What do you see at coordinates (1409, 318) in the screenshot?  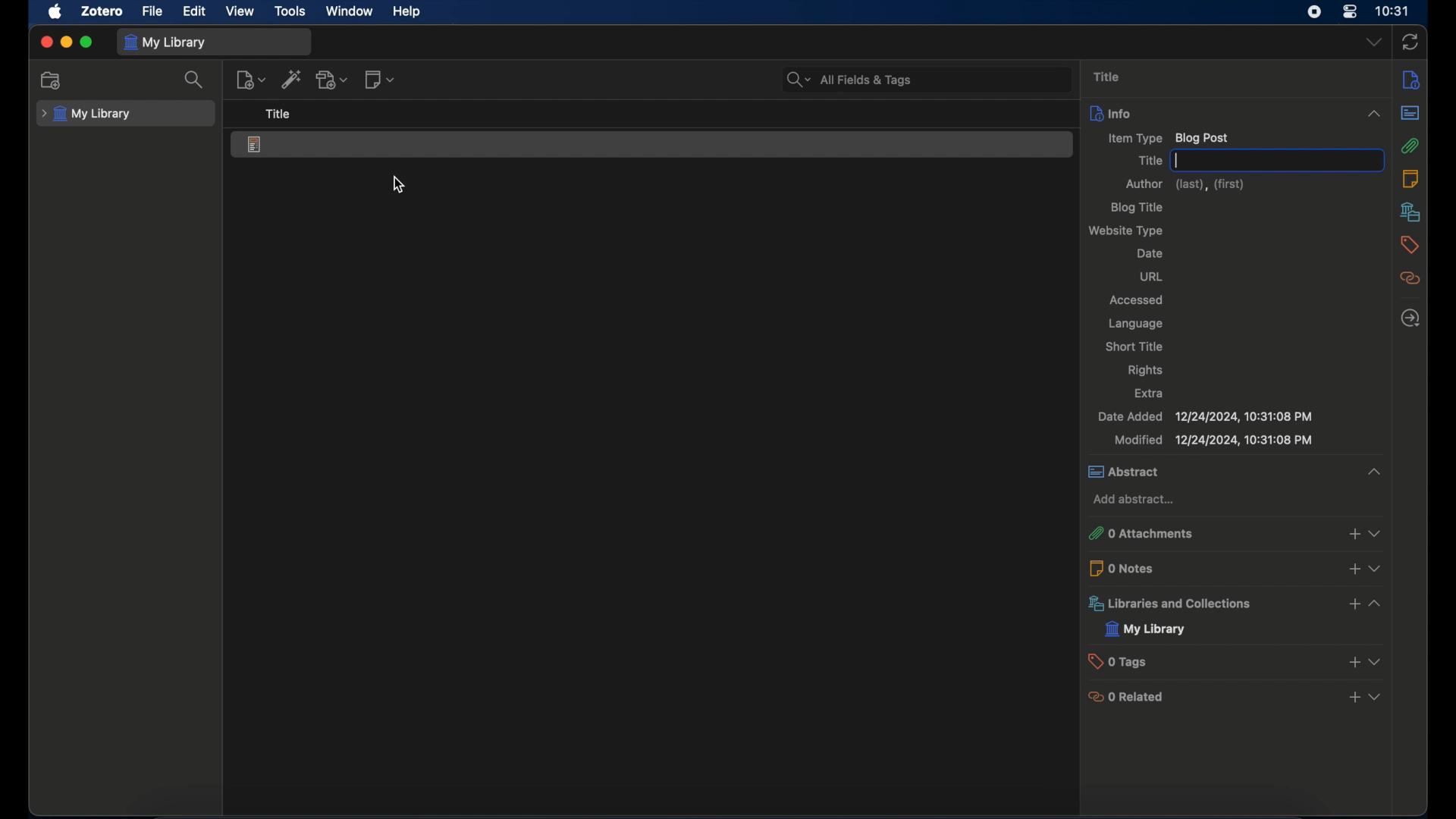 I see `locate` at bounding box center [1409, 318].